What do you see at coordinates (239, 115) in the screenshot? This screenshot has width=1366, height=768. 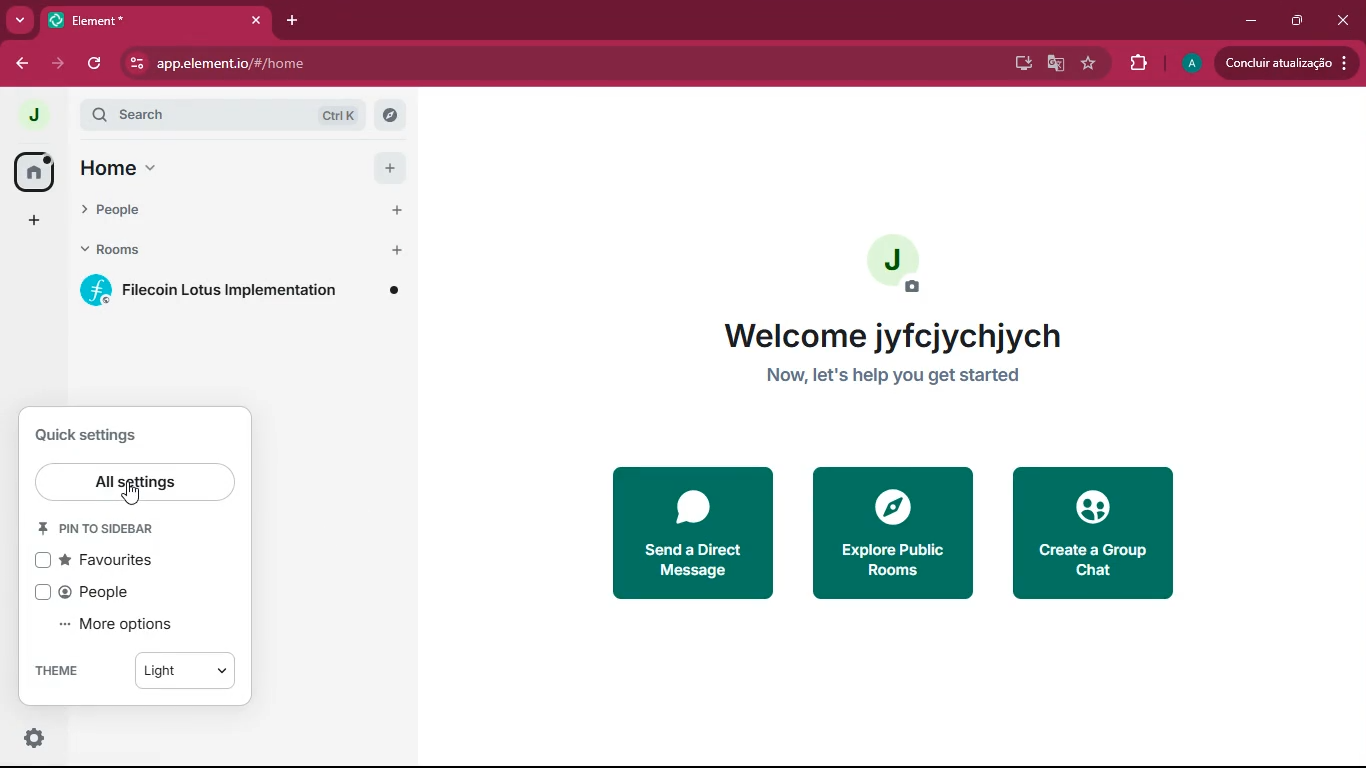 I see `search ctrl k` at bounding box center [239, 115].